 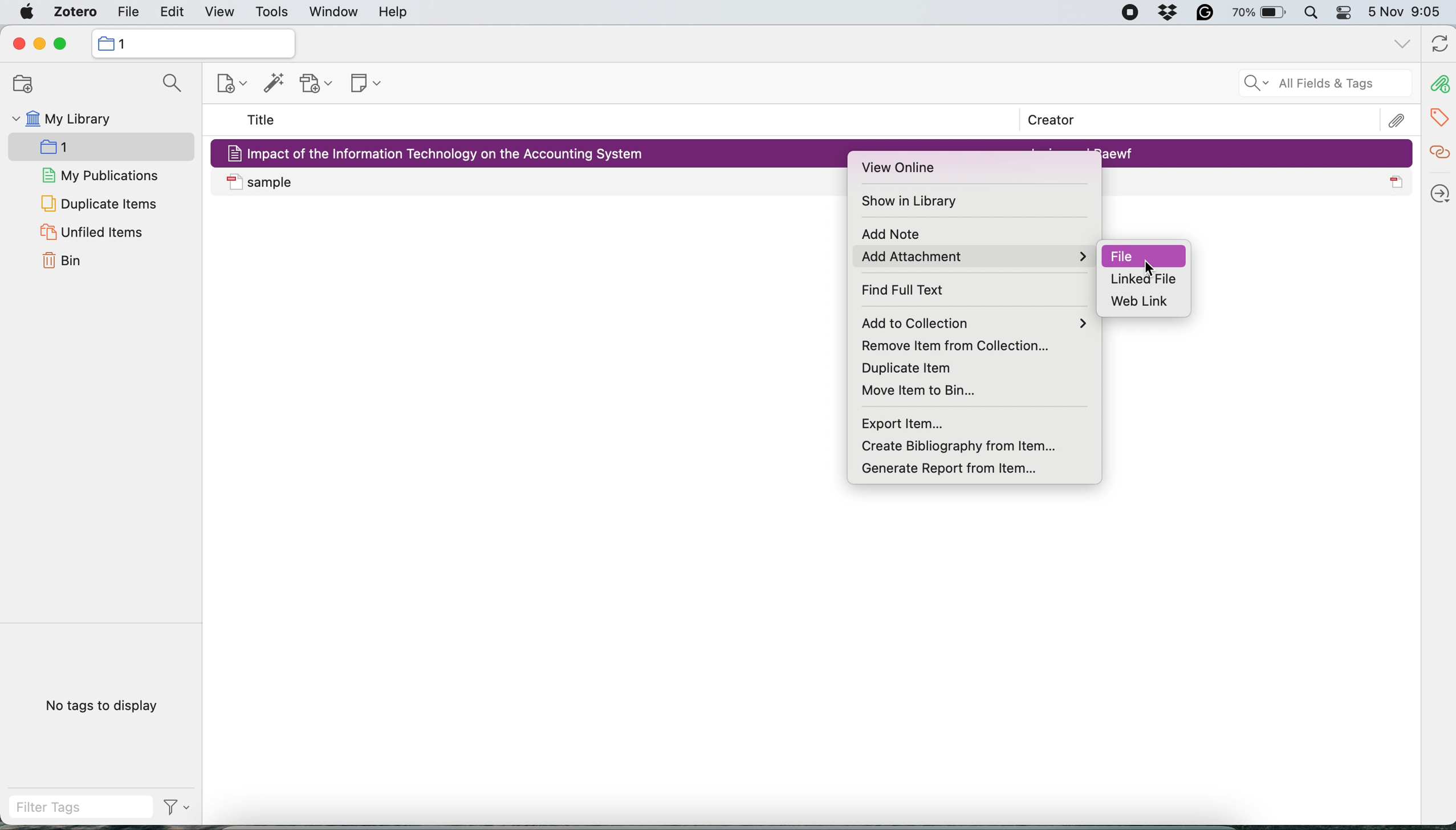 I want to click on system logo, so click(x=27, y=12).